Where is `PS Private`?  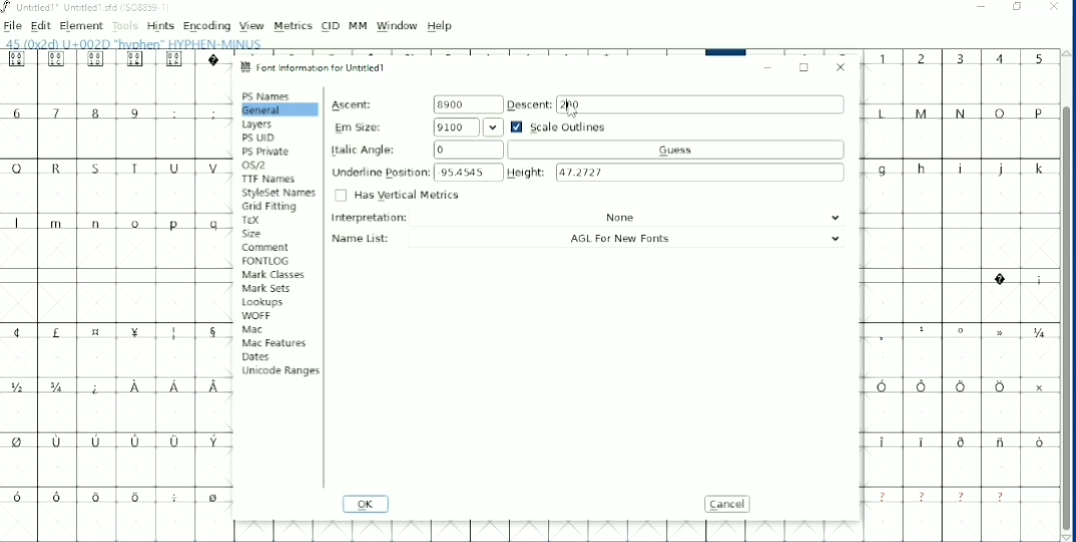
PS Private is located at coordinates (267, 151).